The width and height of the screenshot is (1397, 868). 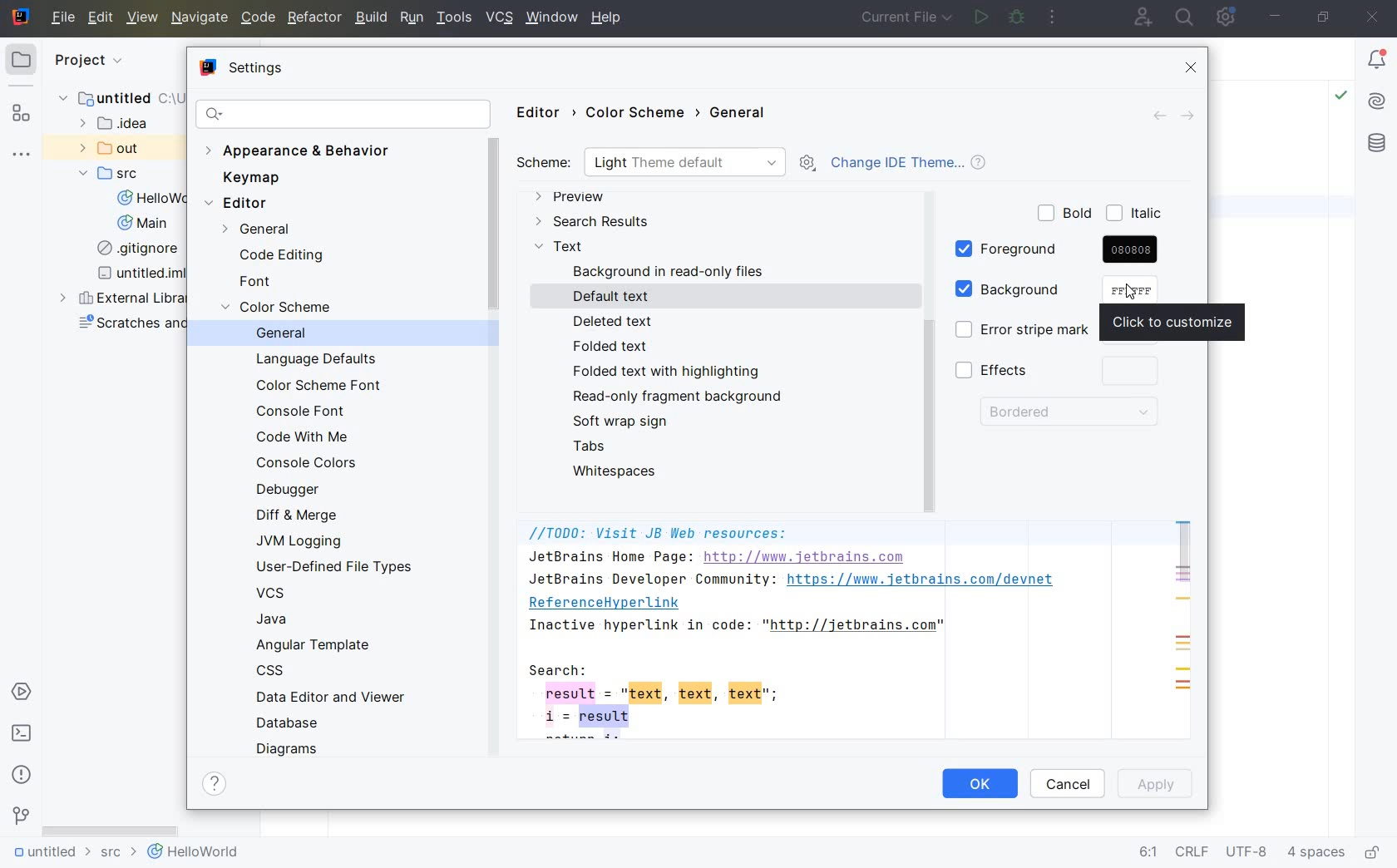 I want to click on scrollbar, so click(x=111, y=827).